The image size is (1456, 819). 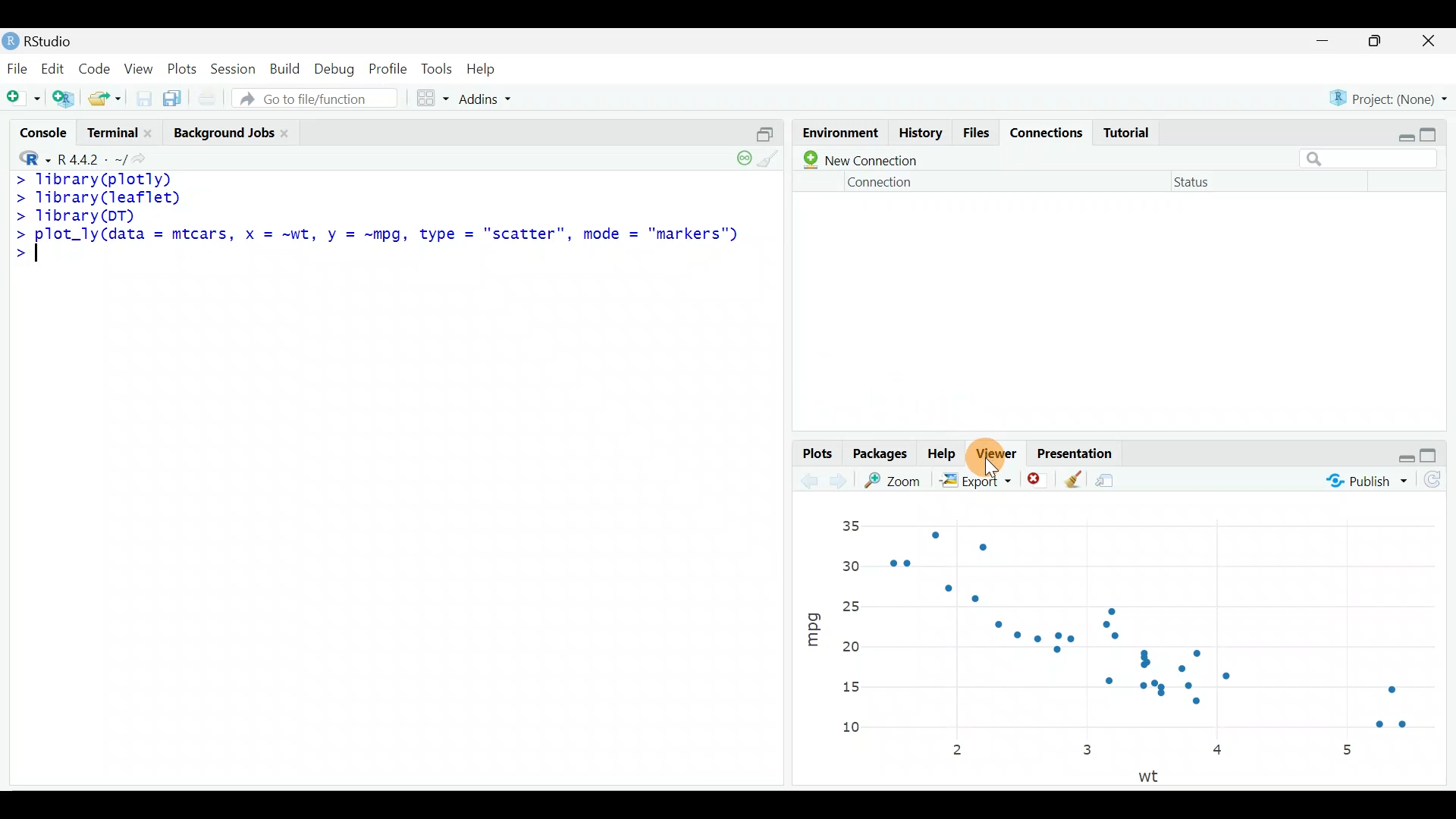 What do you see at coordinates (287, 130) in the screenshot?
I see `close Background jobs` at bounding box center [287, 130].